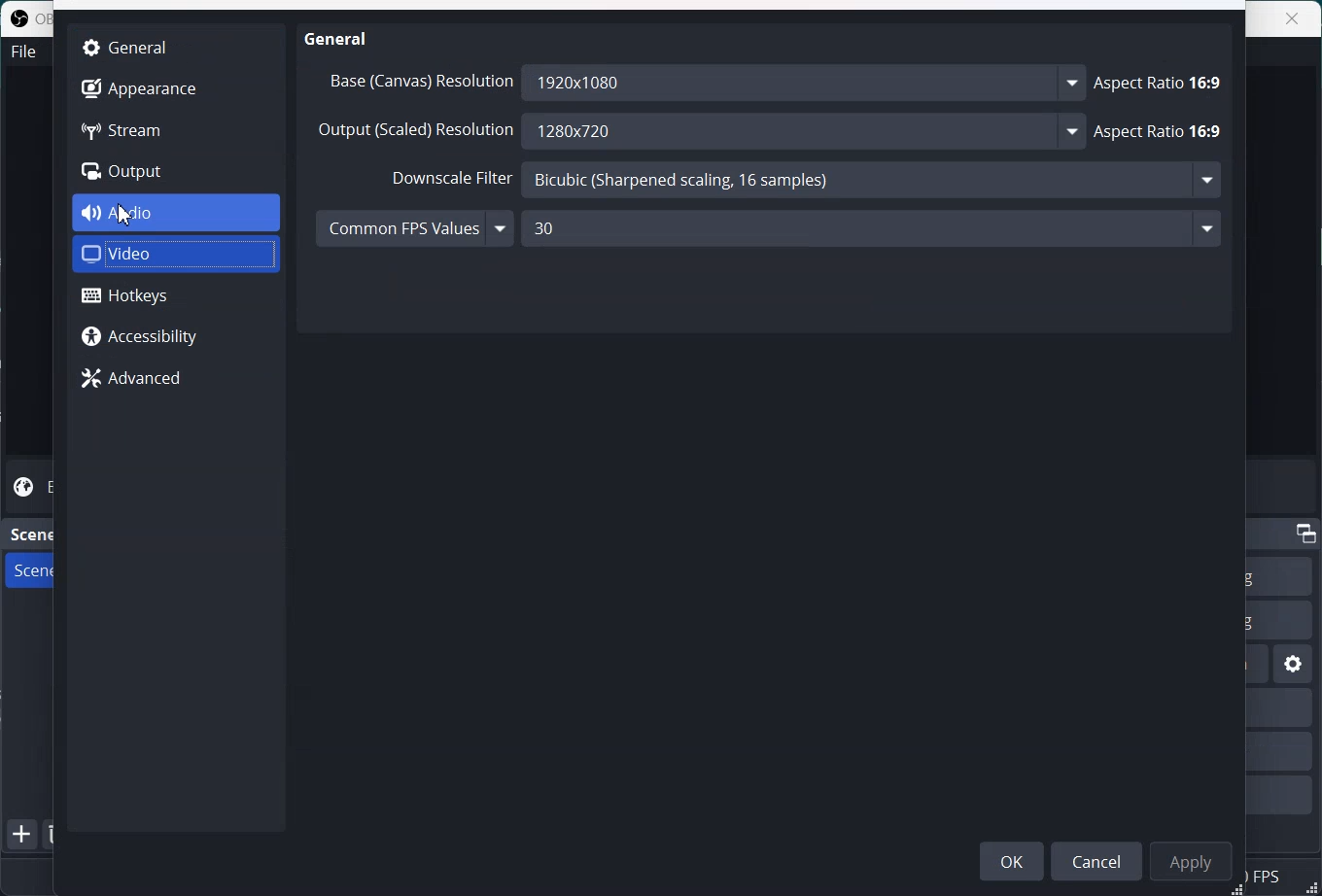 The height and width of the screenshot is (896, 1322). Describe the element at coordinates (1235, 889) in the screenshot. I see `Window Adjuster` at that location.